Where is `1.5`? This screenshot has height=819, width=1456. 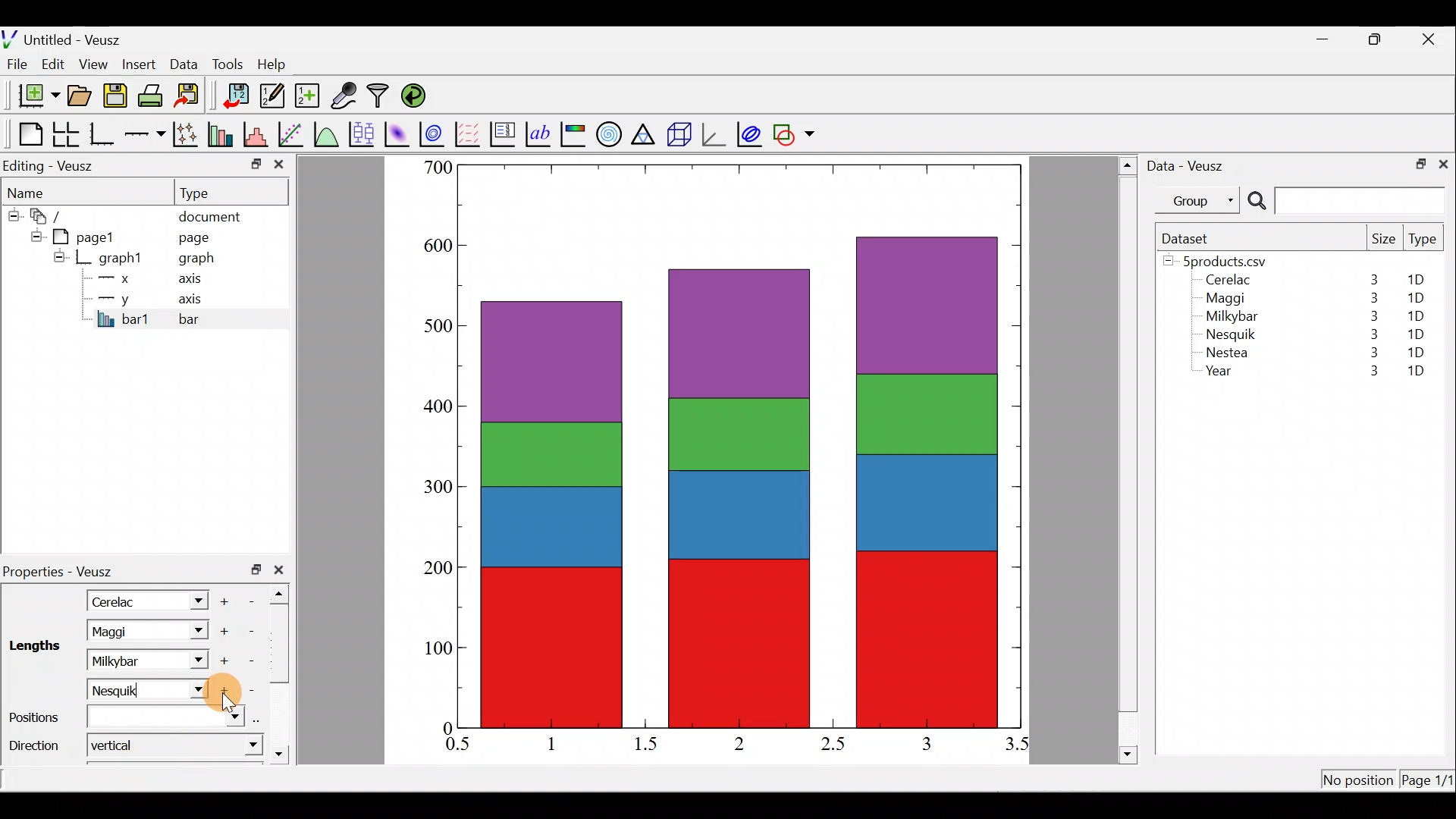 1.5 is located at coordinates (649, 745).